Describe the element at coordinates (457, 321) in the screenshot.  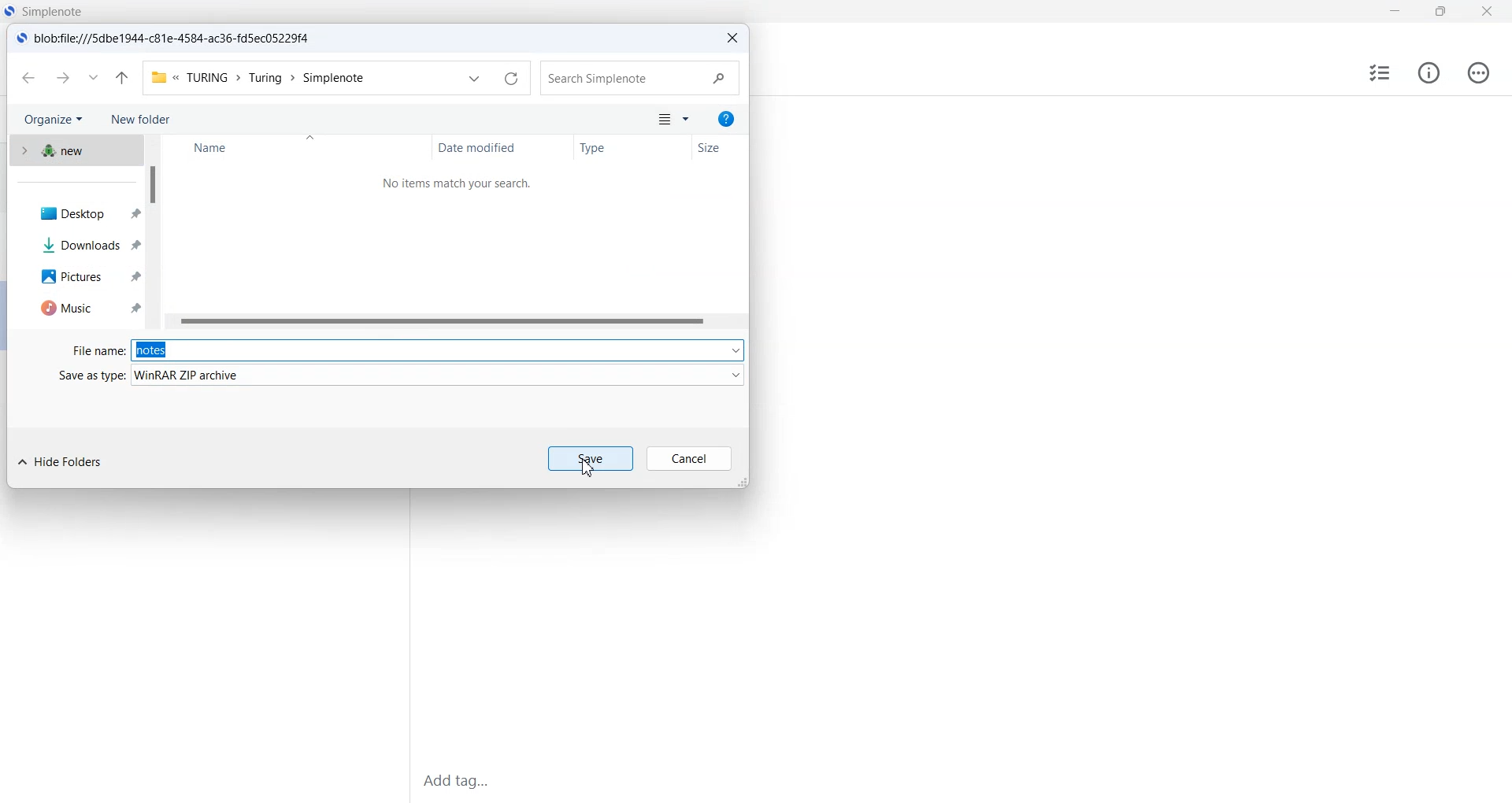
I see `Horizontal scroll bar` at that location.